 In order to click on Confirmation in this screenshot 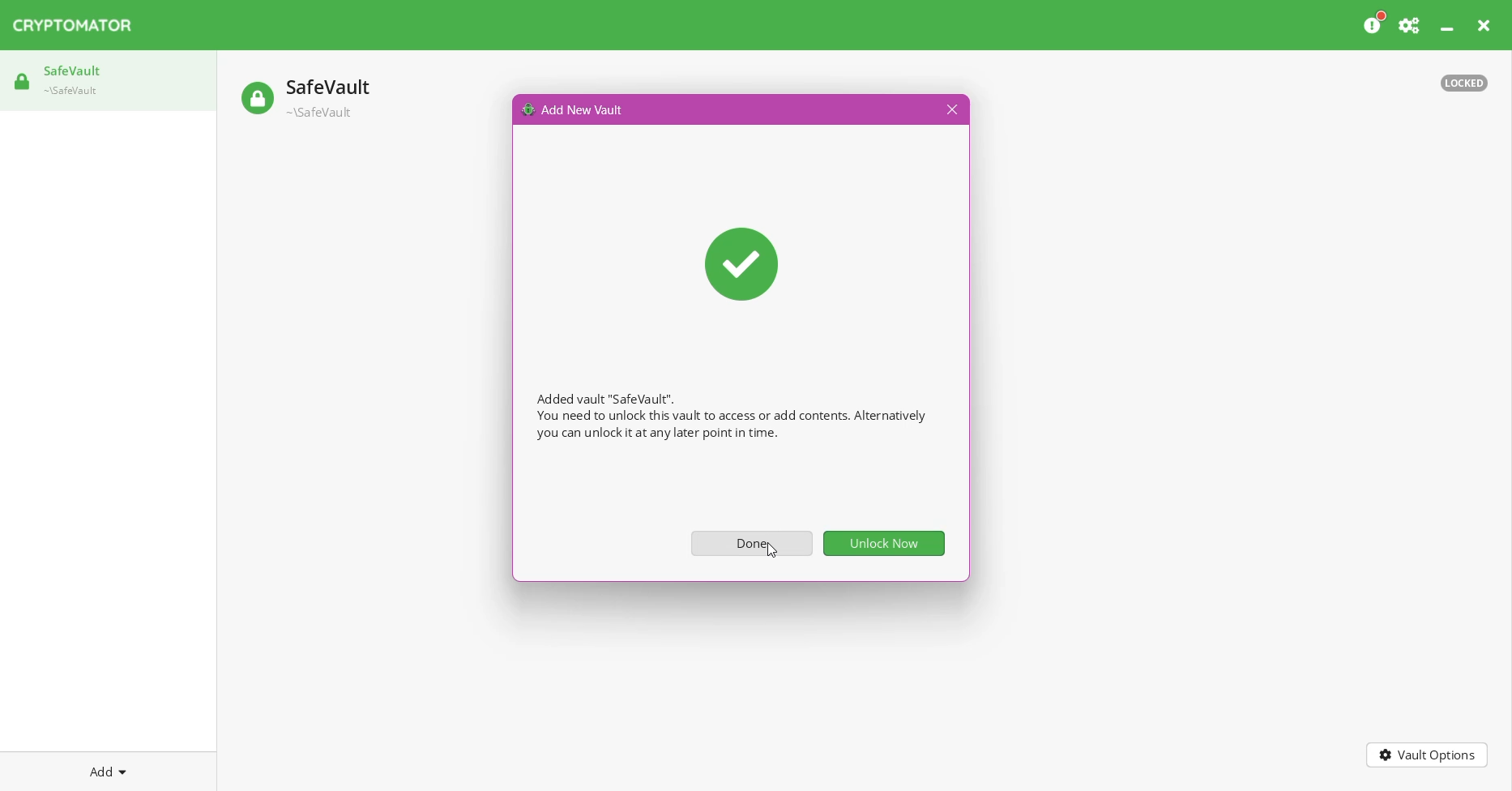, I will do `click(743, 264)`.